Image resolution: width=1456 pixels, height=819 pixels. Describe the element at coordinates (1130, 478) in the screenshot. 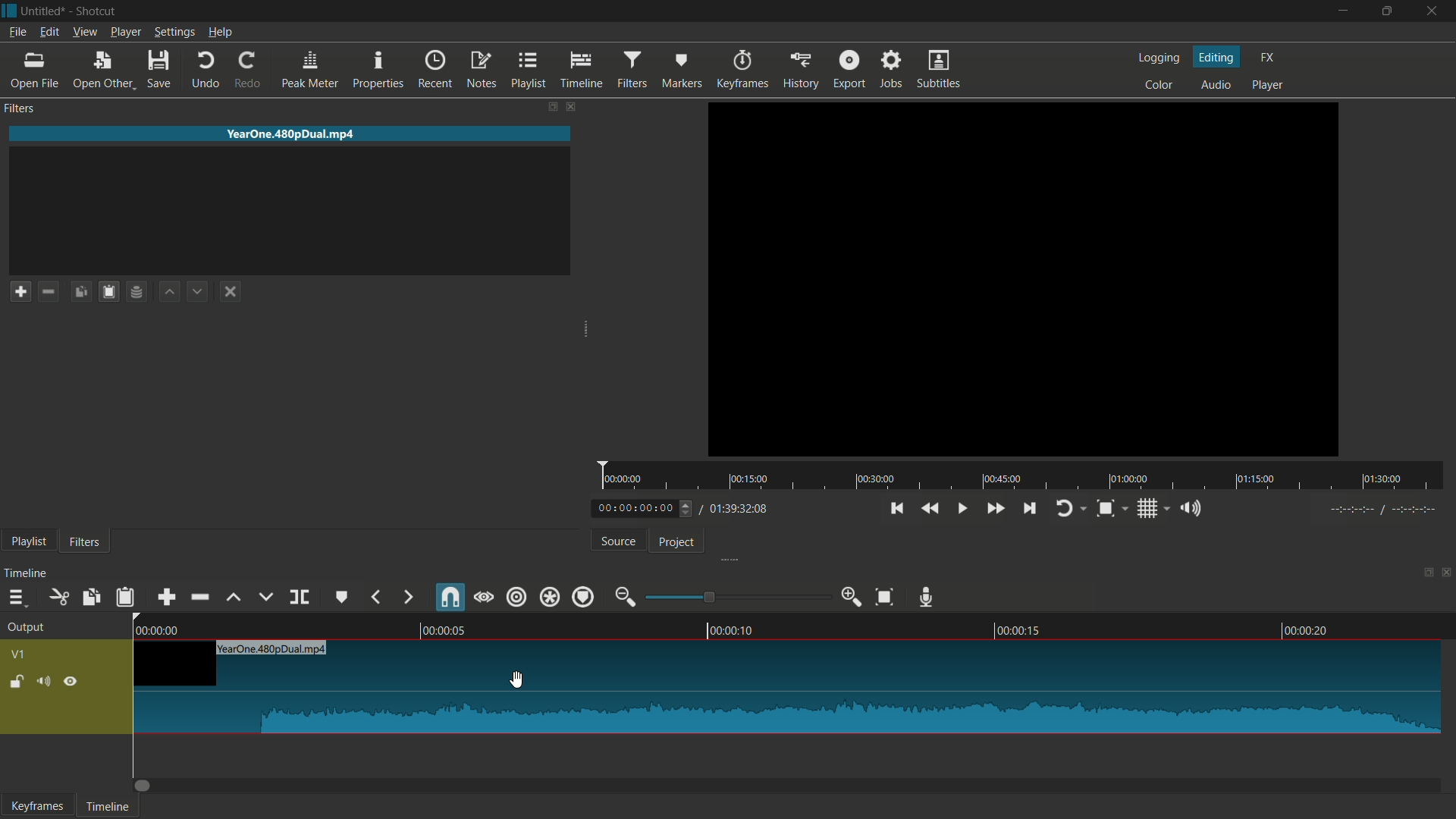

I see `01:00:00` at that location.